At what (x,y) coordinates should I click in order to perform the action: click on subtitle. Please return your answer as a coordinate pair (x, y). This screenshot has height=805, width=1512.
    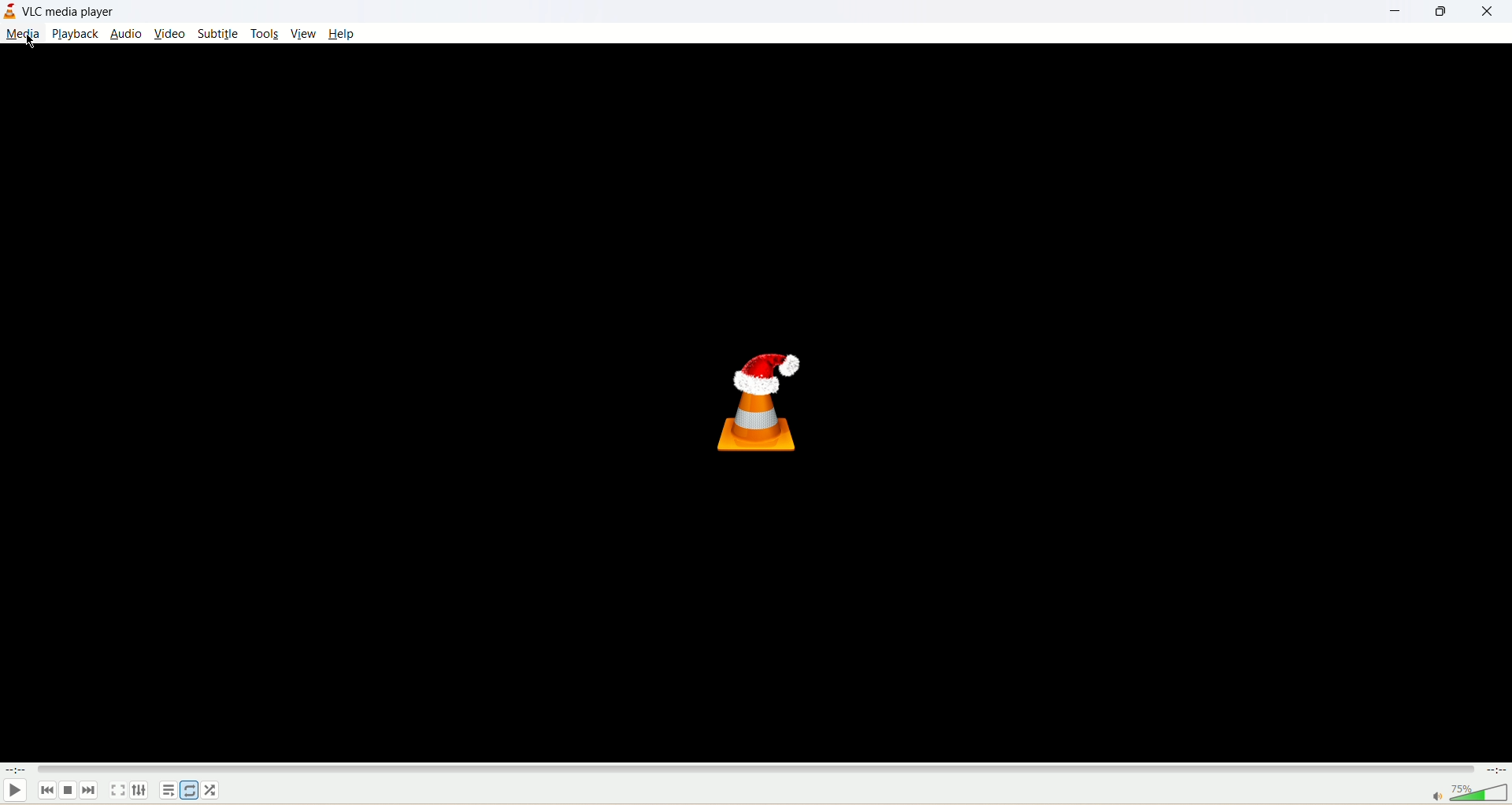
    Looking at the image, I should click on (218, 34).